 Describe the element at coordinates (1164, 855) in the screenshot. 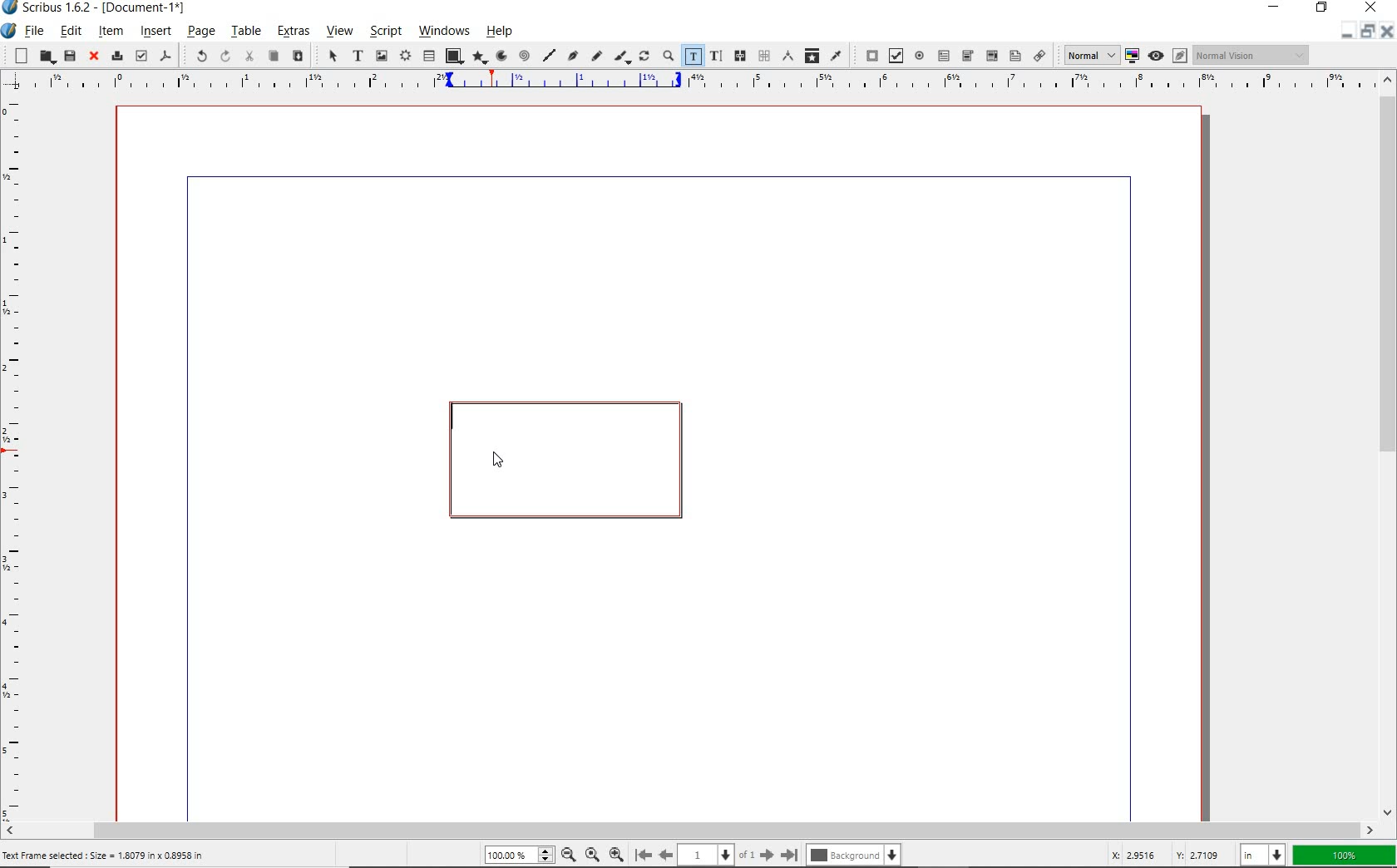

I see `cursor coordinates` at that location.